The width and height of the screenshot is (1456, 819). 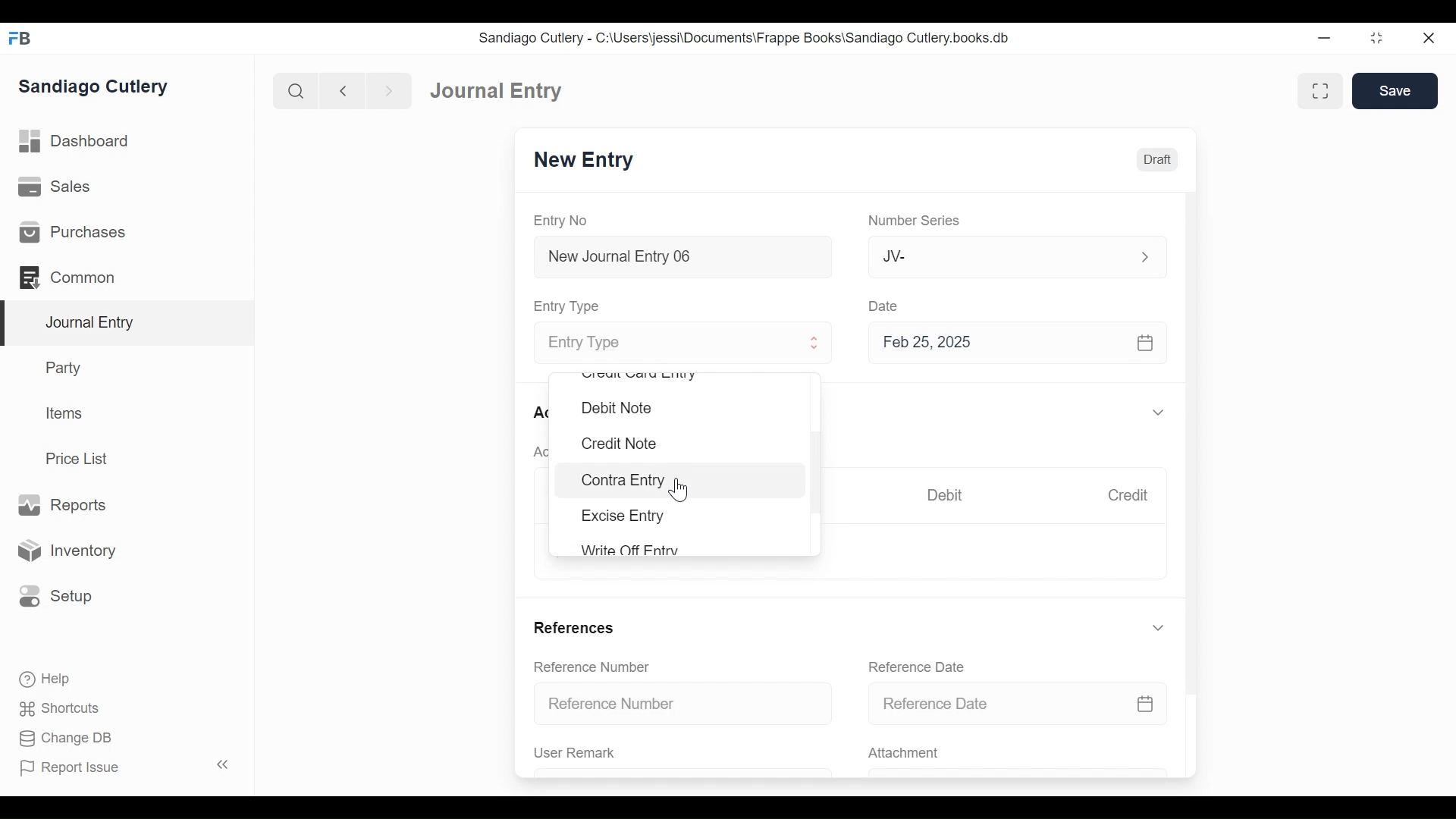 What do you see at coordinates (1379, 37) in the screenshot?
I see `Restore` at bounding box center [1379, 37].